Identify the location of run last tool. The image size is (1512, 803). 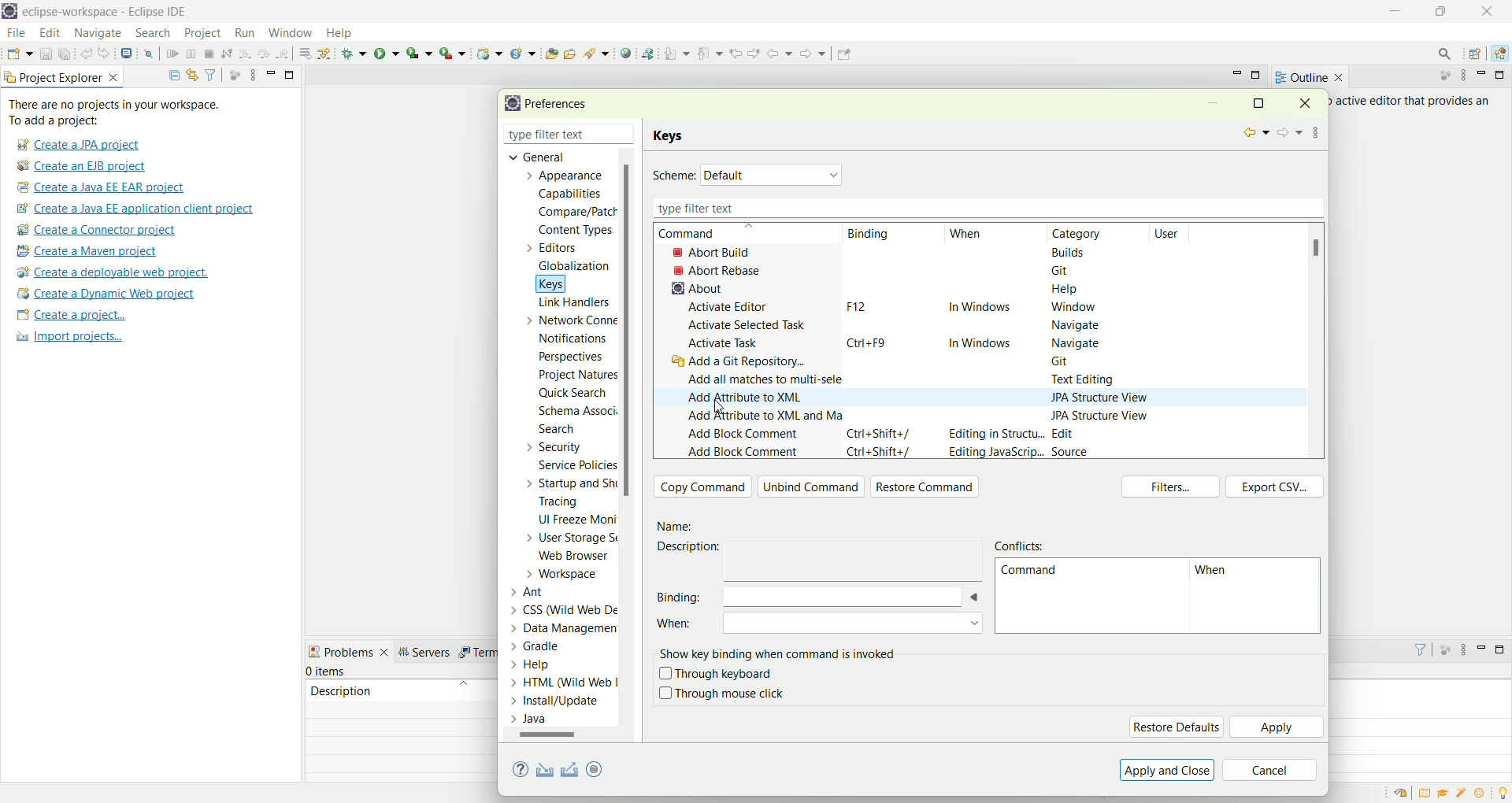
(454, 53).